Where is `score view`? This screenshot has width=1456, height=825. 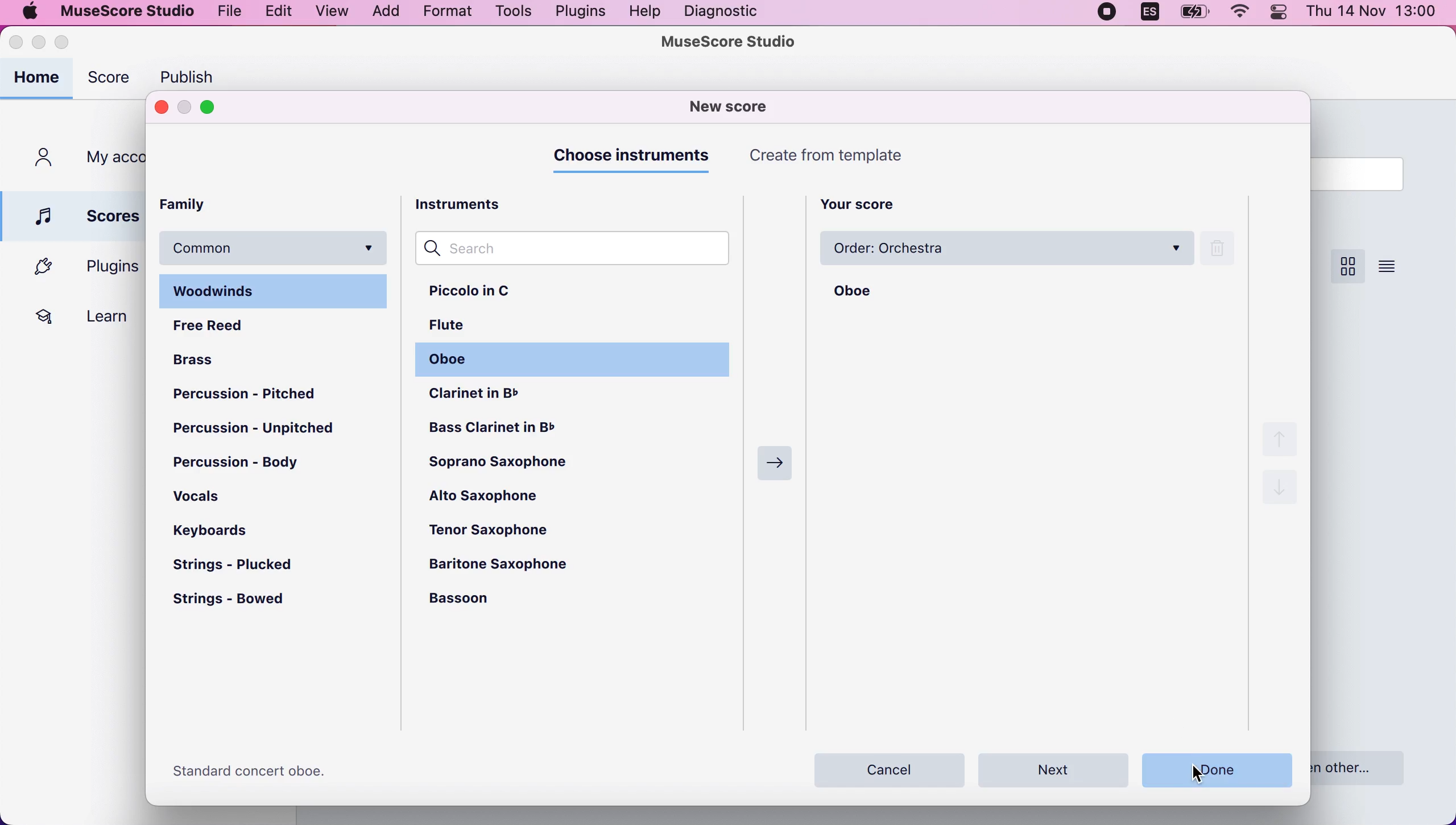
score view is located at coordinates (1346, 267).